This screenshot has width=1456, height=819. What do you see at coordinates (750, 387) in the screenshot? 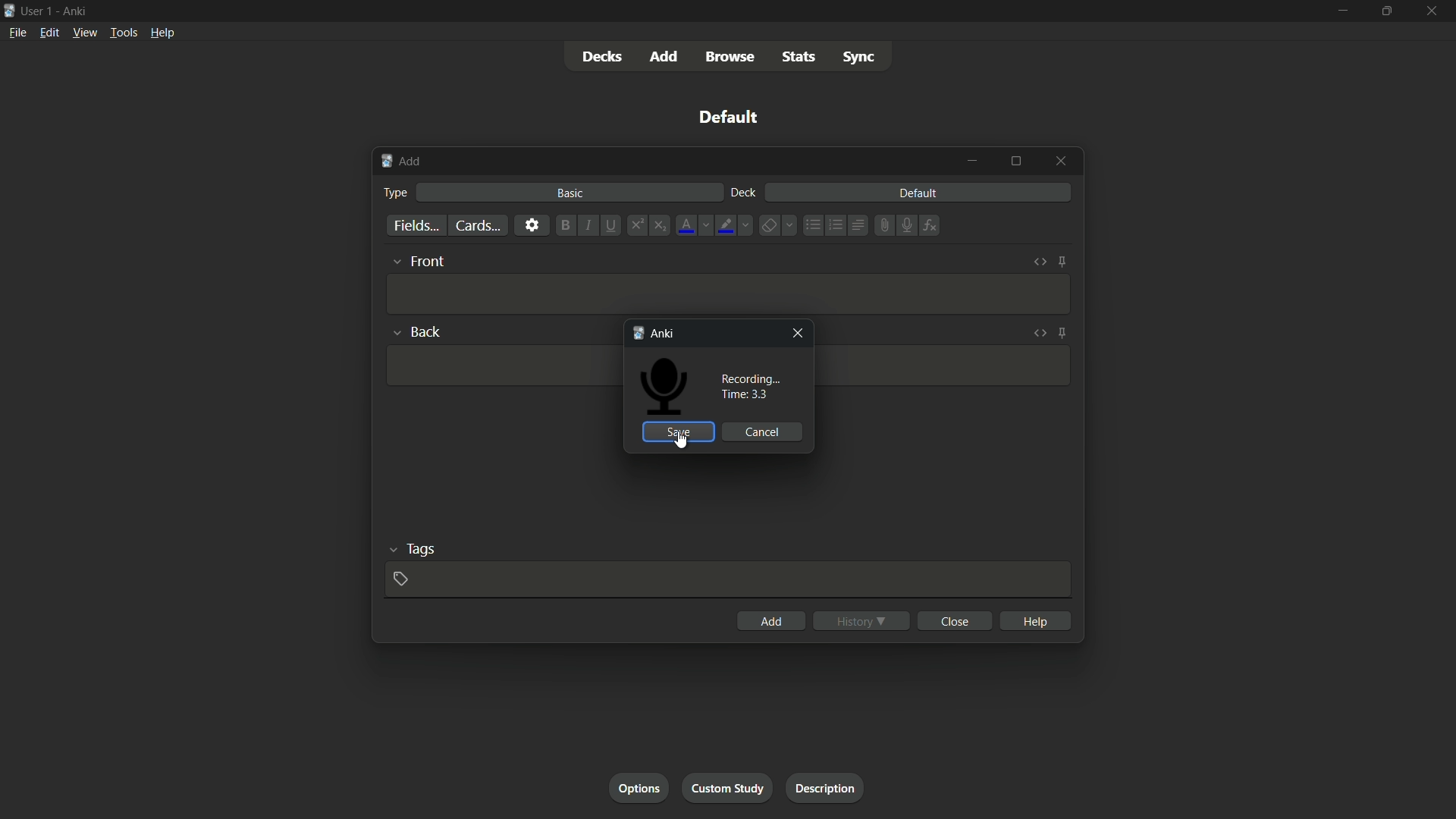
I see `recording time` at bounding box center [750, 387].